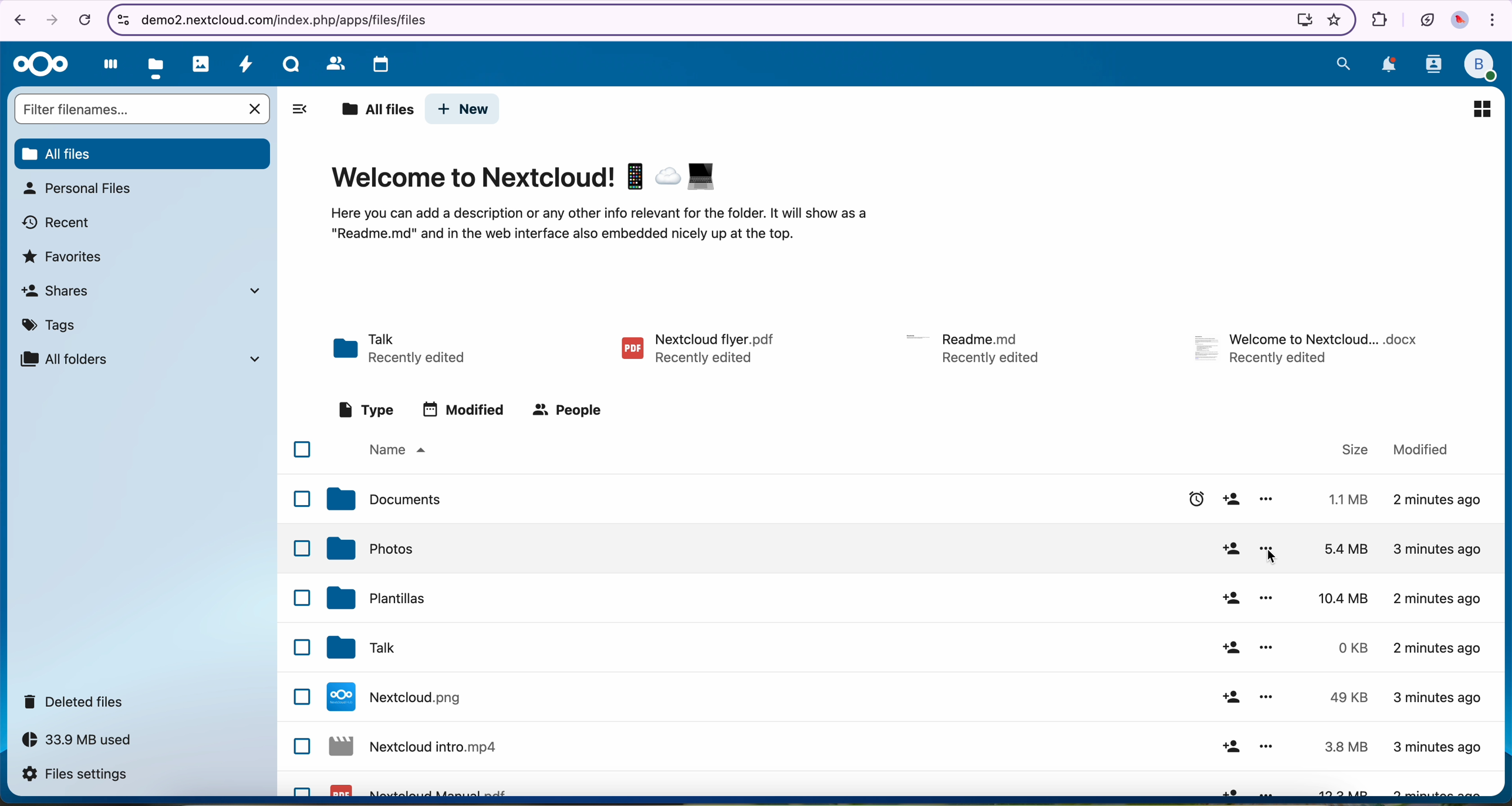  I want to click on contacts, so click(1432, 66).